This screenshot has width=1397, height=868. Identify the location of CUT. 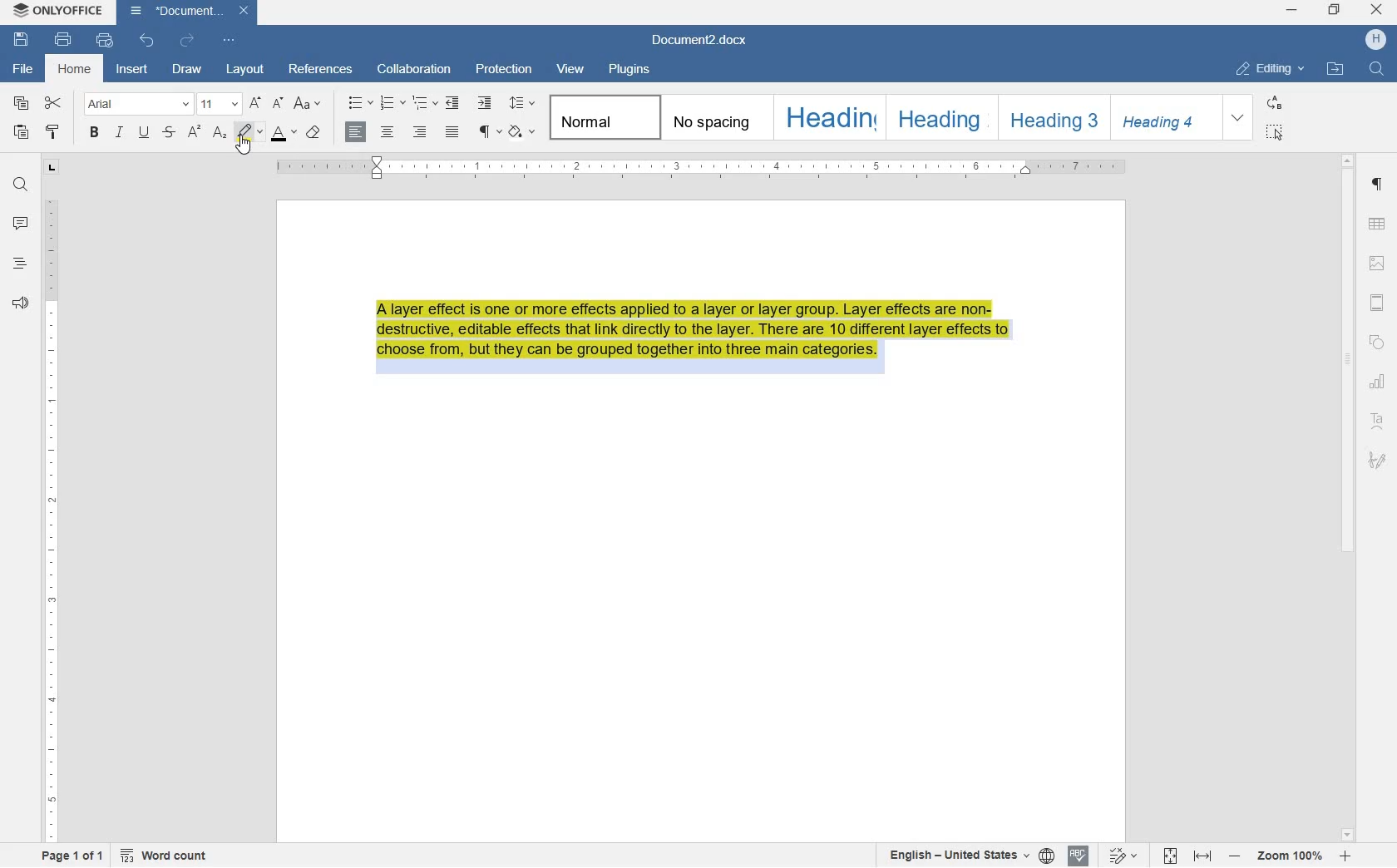
(54, 104).